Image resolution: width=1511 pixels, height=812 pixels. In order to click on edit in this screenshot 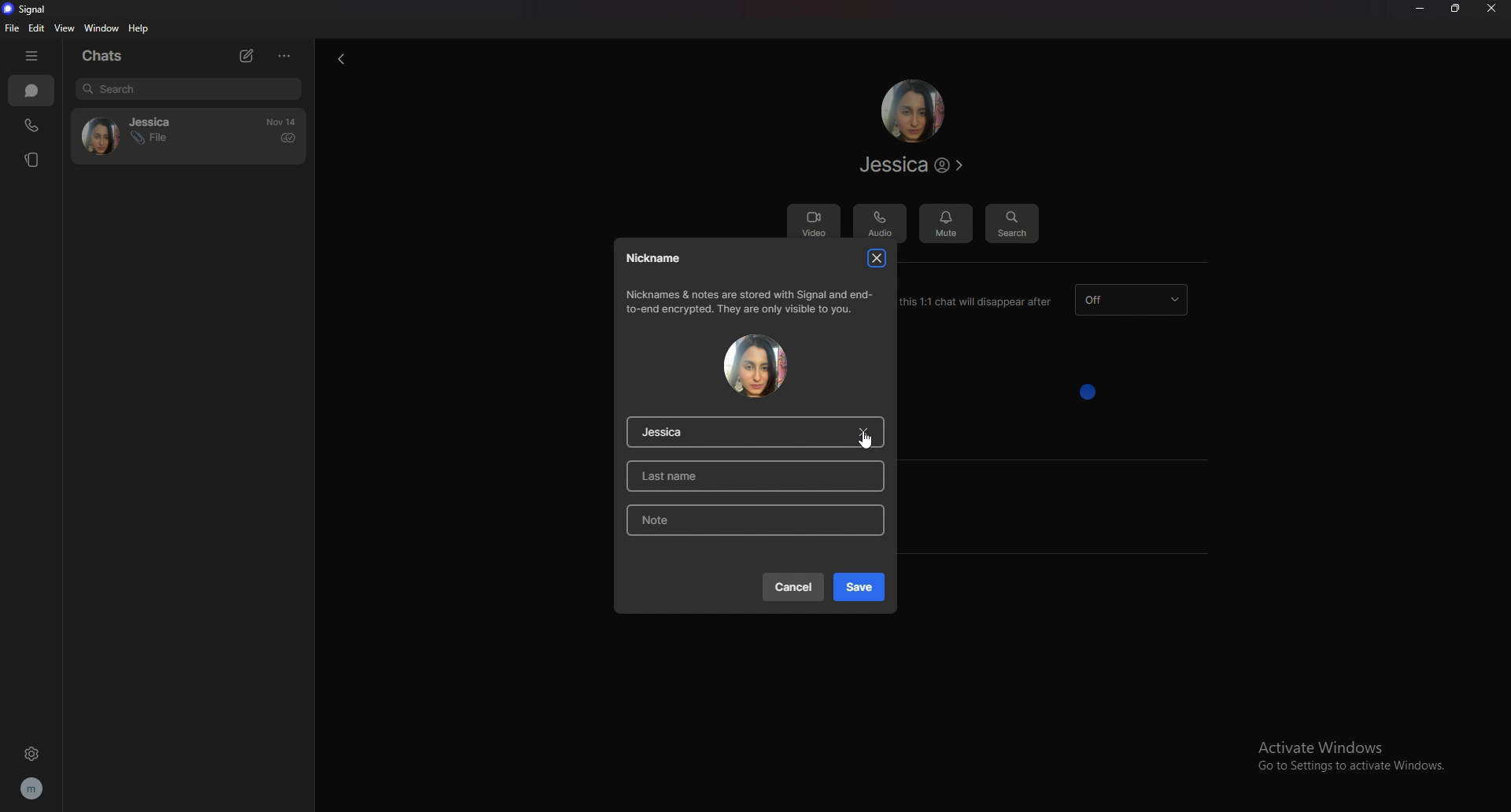, I will do `click(36, 28)`.